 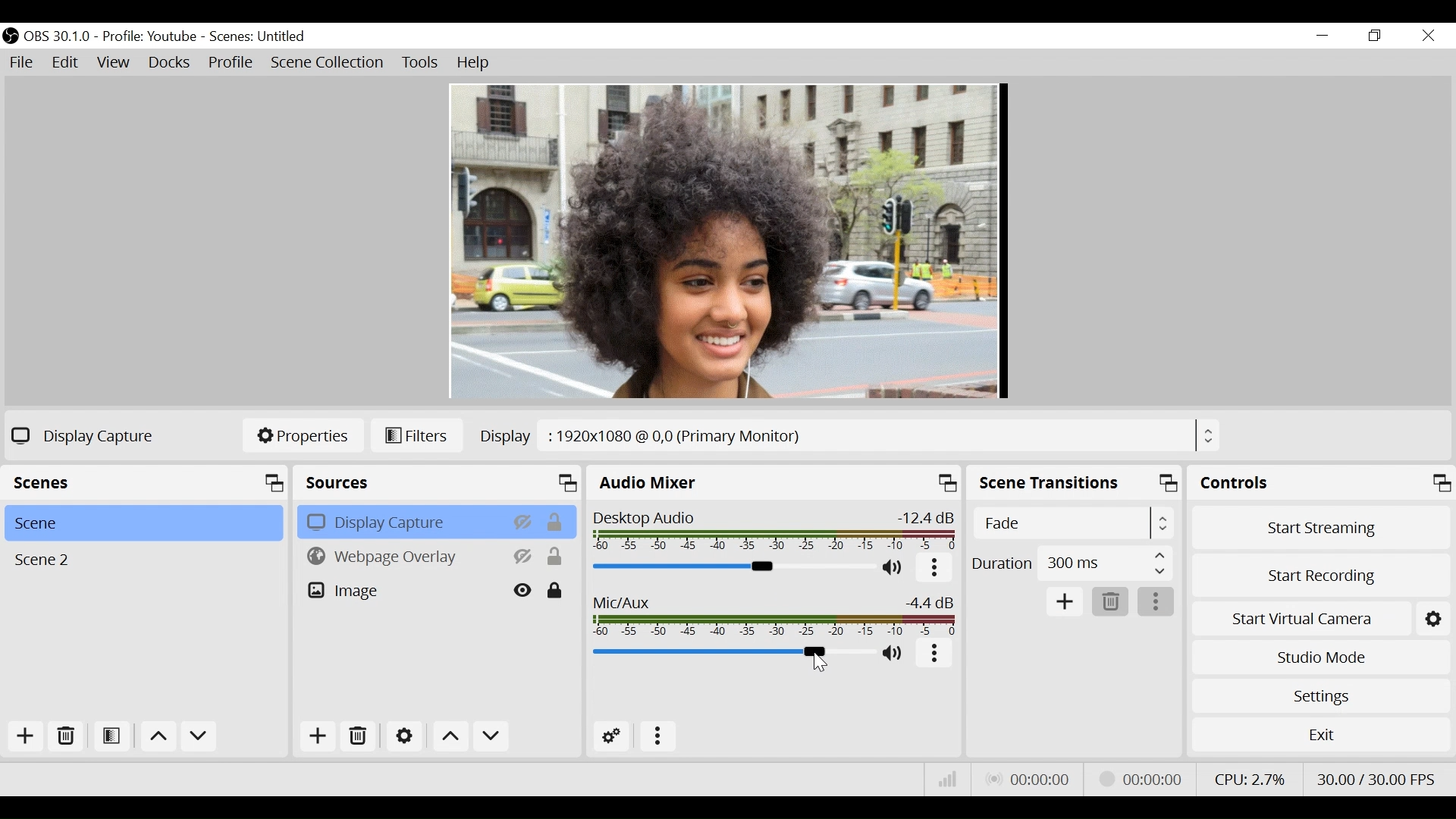 I want to click on Display Capture Source, so click(x=402, y=522).